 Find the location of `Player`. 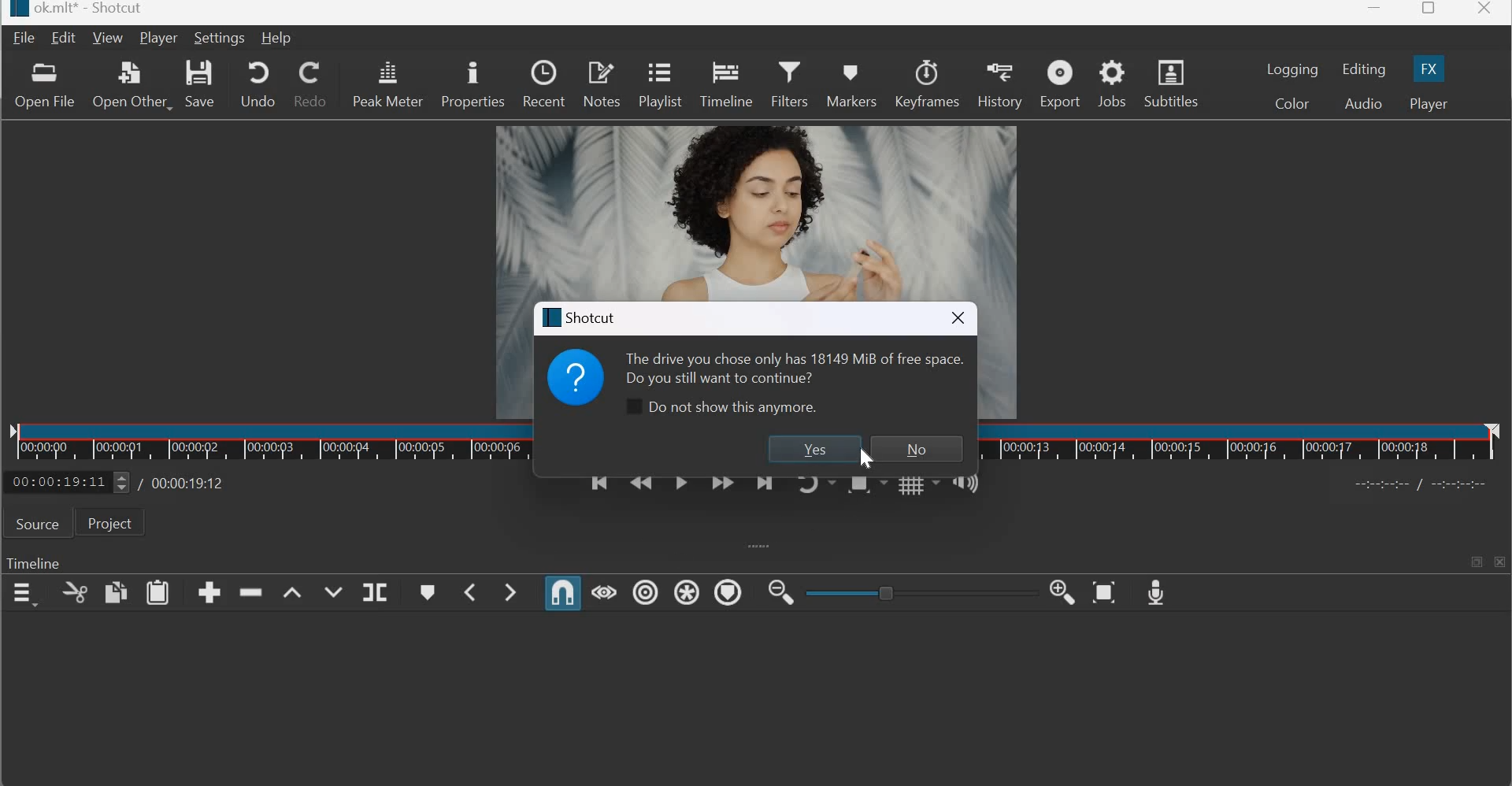

Player is located at coordinates (1428, 104).